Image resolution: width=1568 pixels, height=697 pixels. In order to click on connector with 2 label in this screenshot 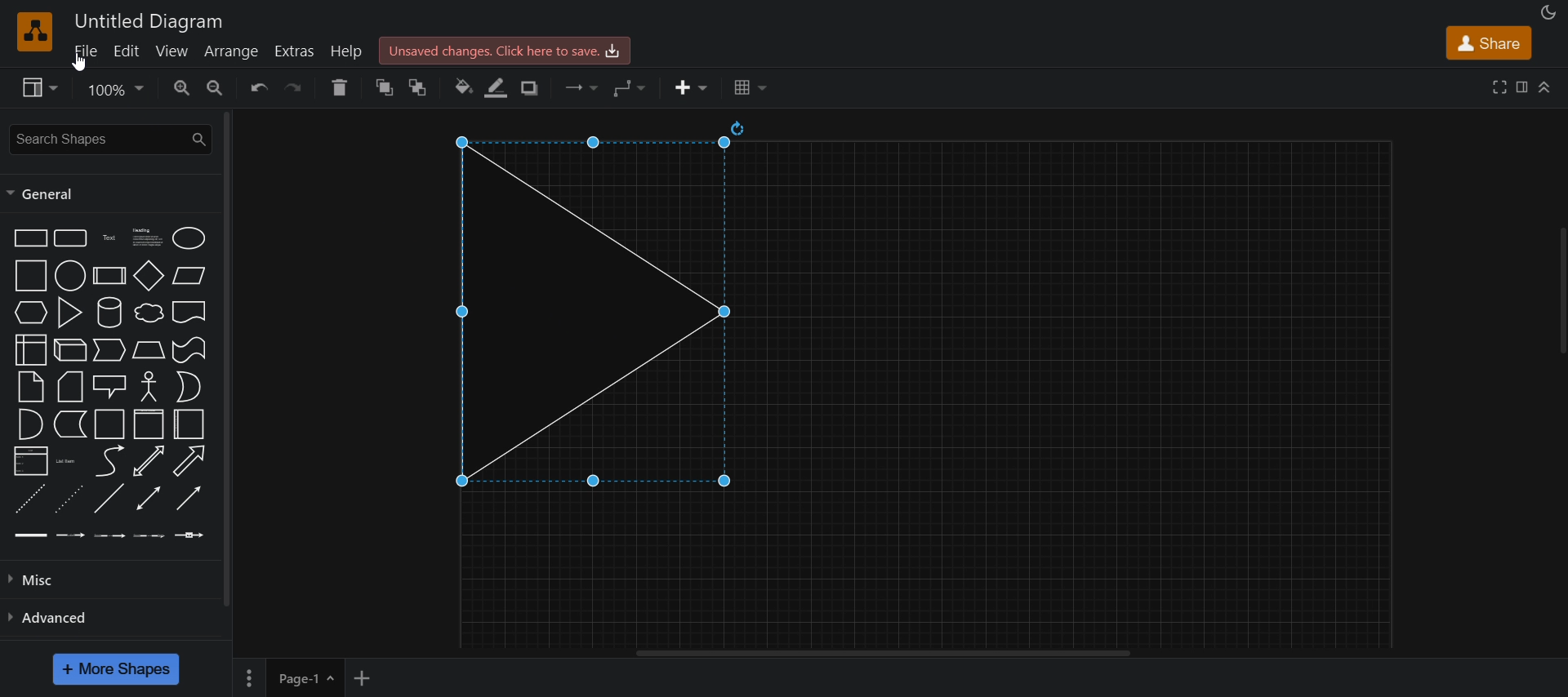, I will do `click(111, 535)`.